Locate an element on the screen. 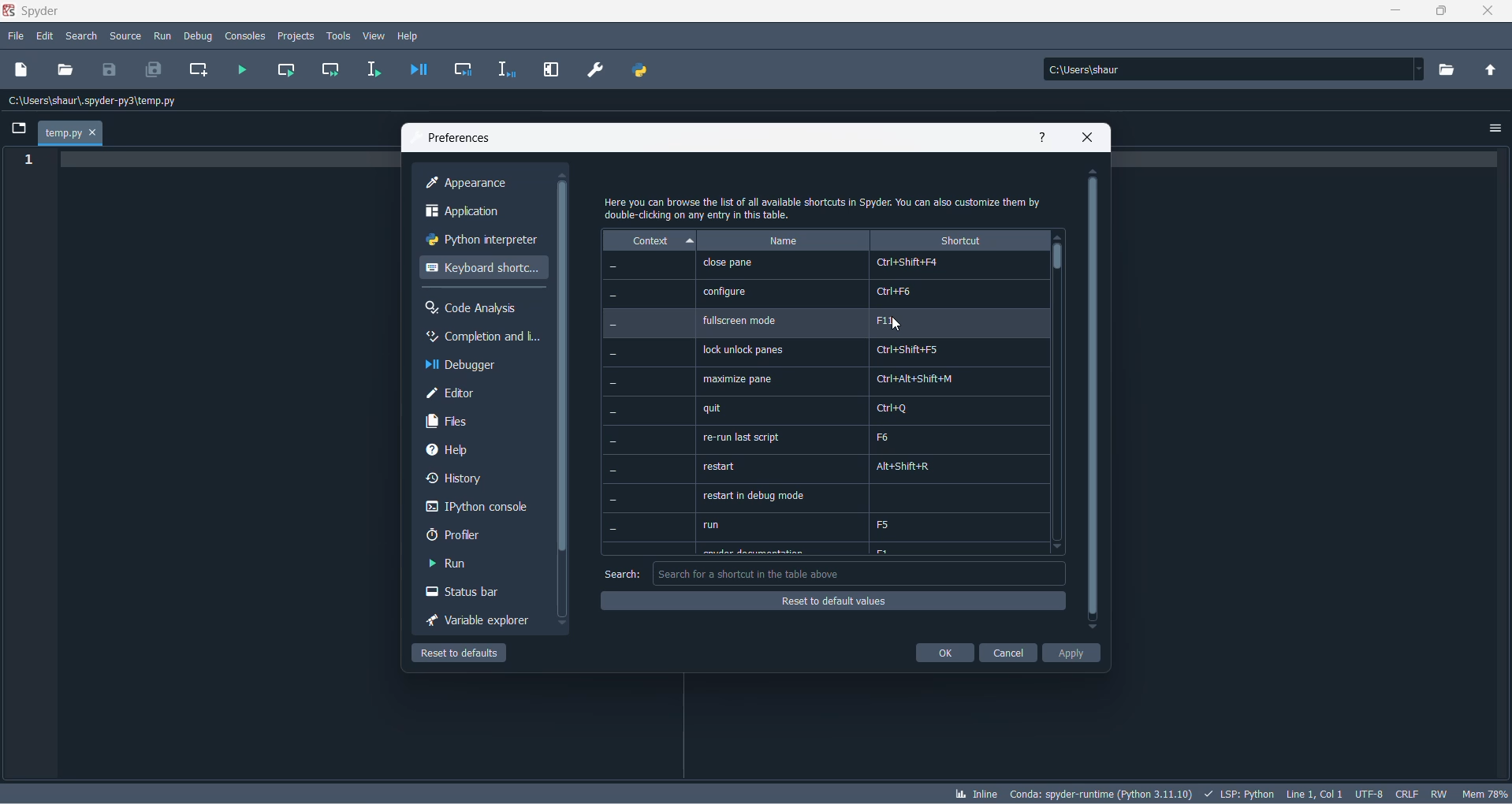 Image resolution: width=1512 pixels, height=804 pixels. script is located at coordinates (1239, 792).